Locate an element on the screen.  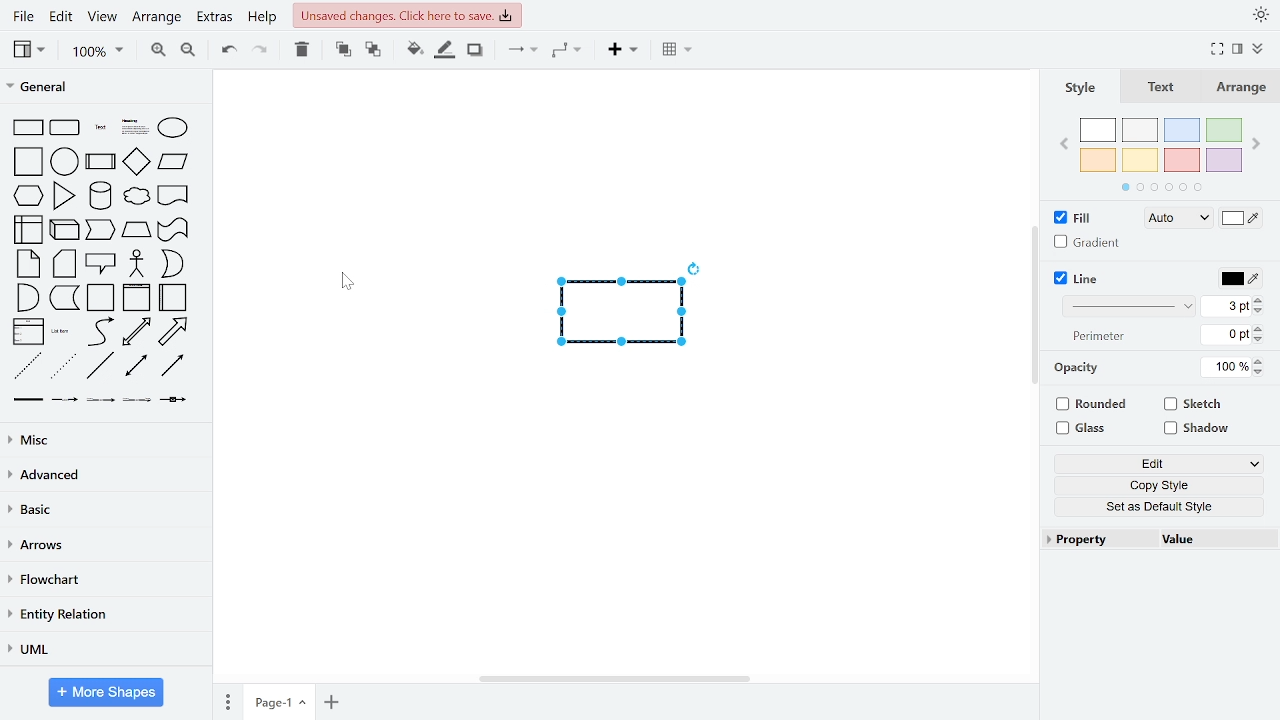
general shapes is located at coordinates (101, 263).